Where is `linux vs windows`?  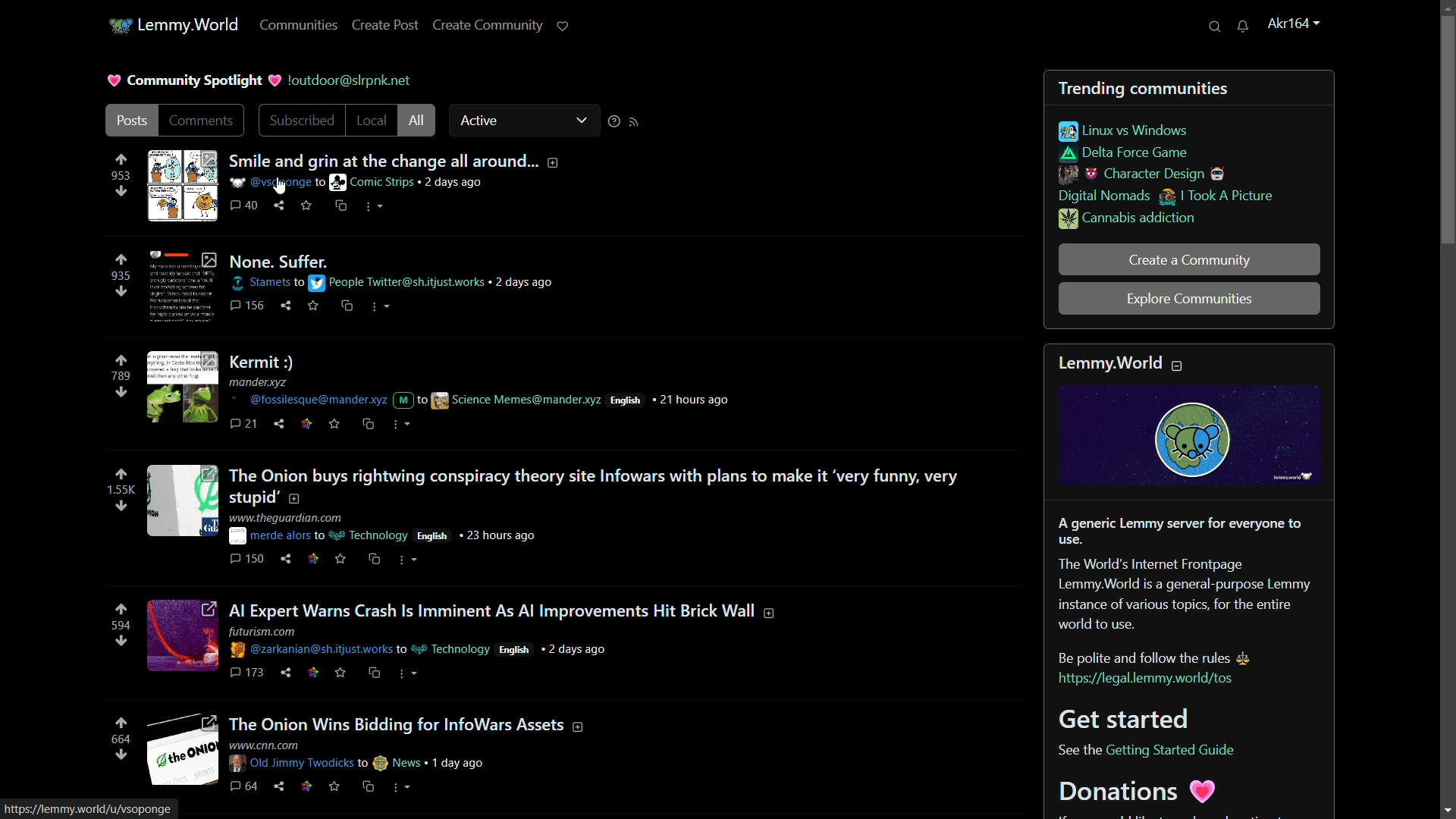
linux vs windows is located at coordinates (1125, 130).